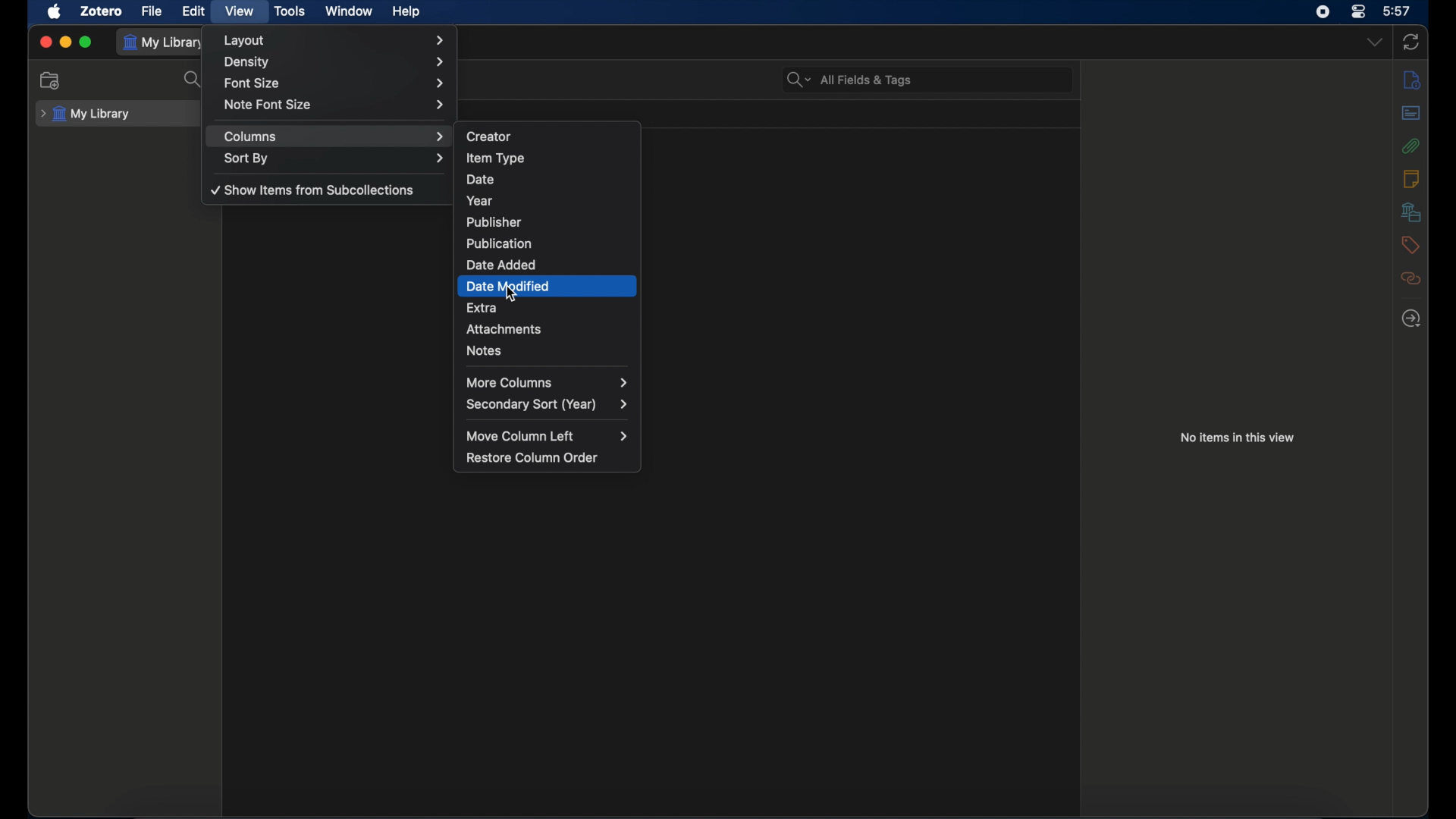  What do you see at coordinates (1323, 11) in the screenshot?
I see `screen recorder ` at bounding box center [1323, 11].